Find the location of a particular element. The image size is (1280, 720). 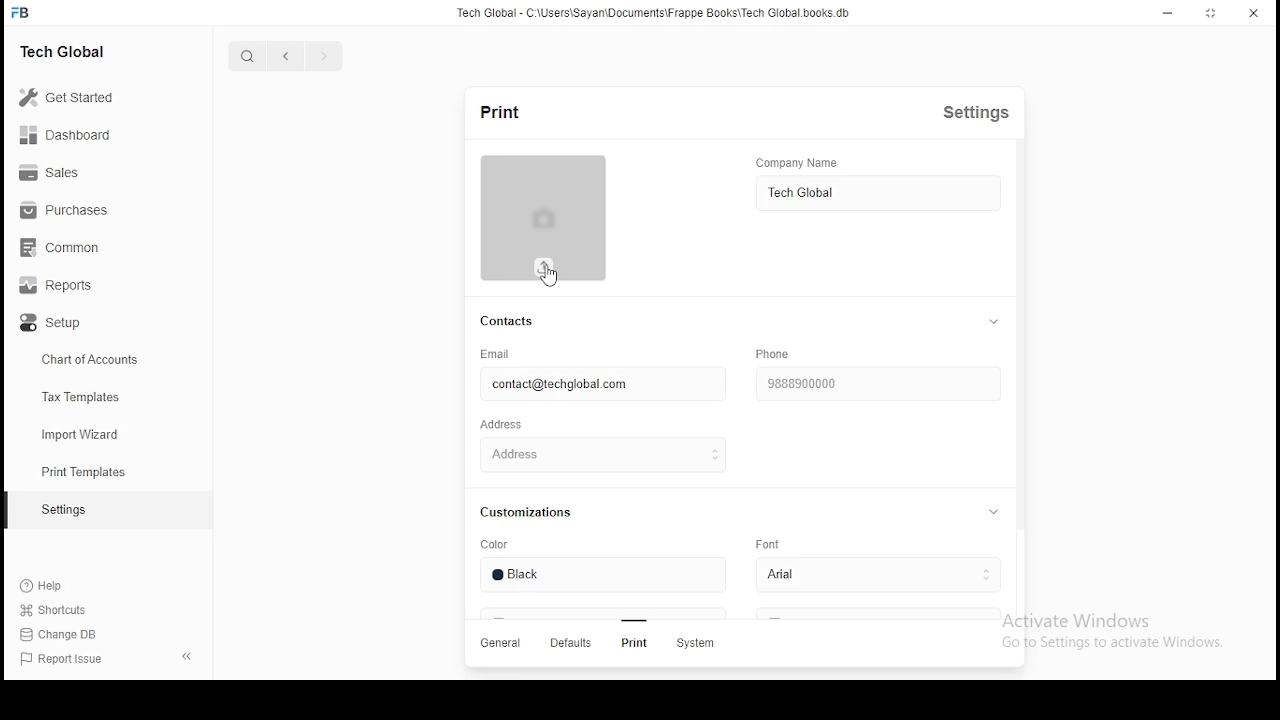

Print  is located at coordinates (632, 643).